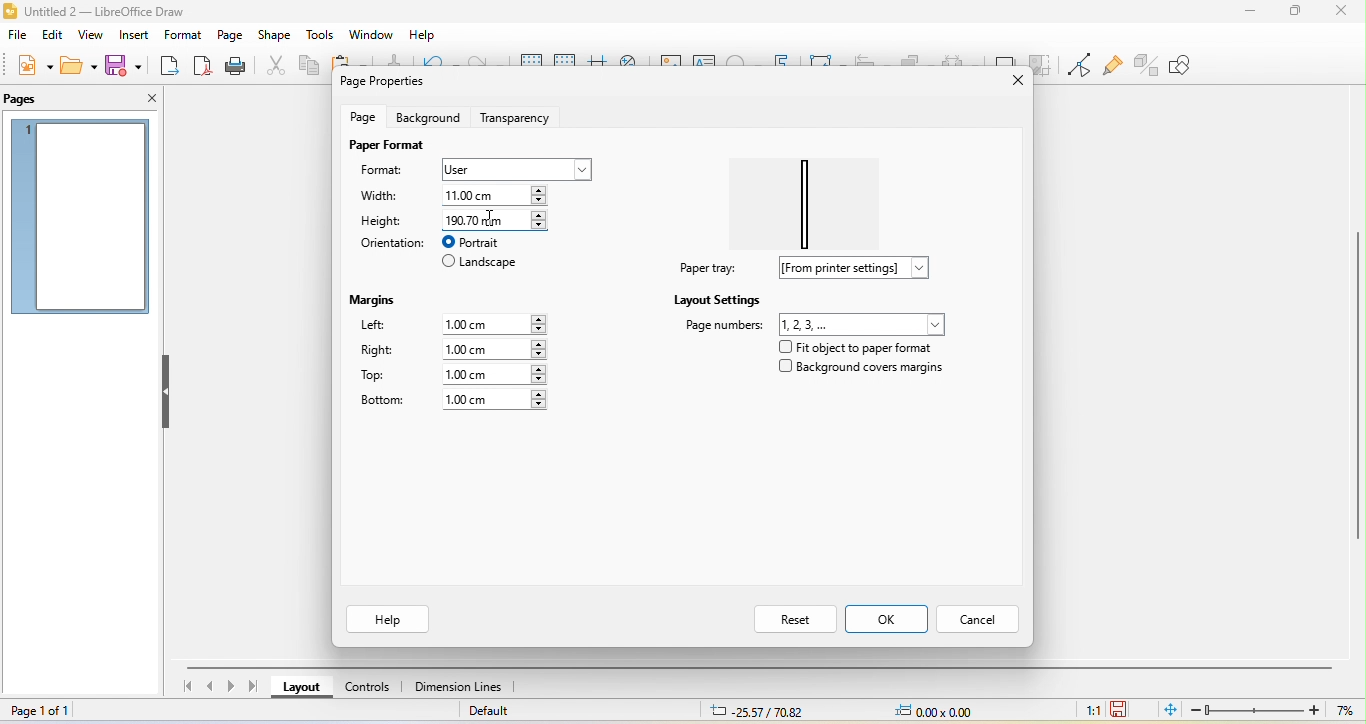 Image resolution: width=1366 pixels, height=724 pixels. What do you see at coordinates (144, 98) in the screenshot?
I see `close` at bounding box center [144, 98].